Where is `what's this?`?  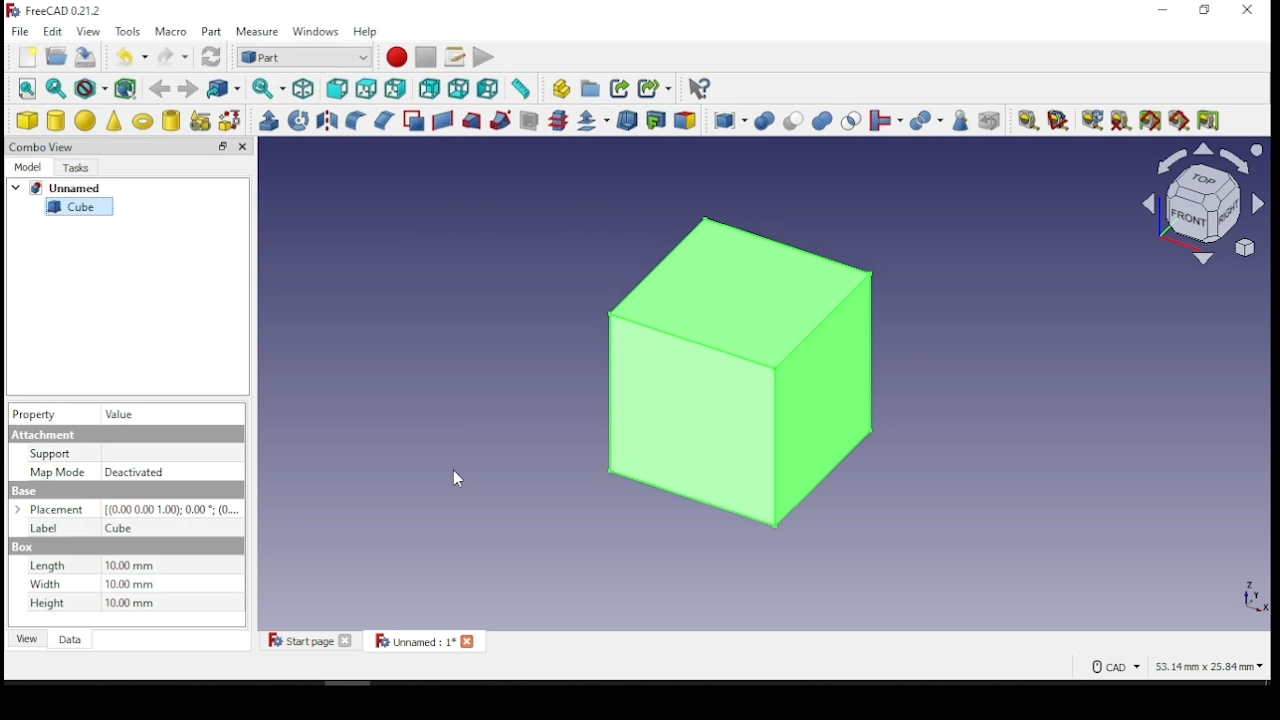 what's this? is located at coordinates (699, 90).